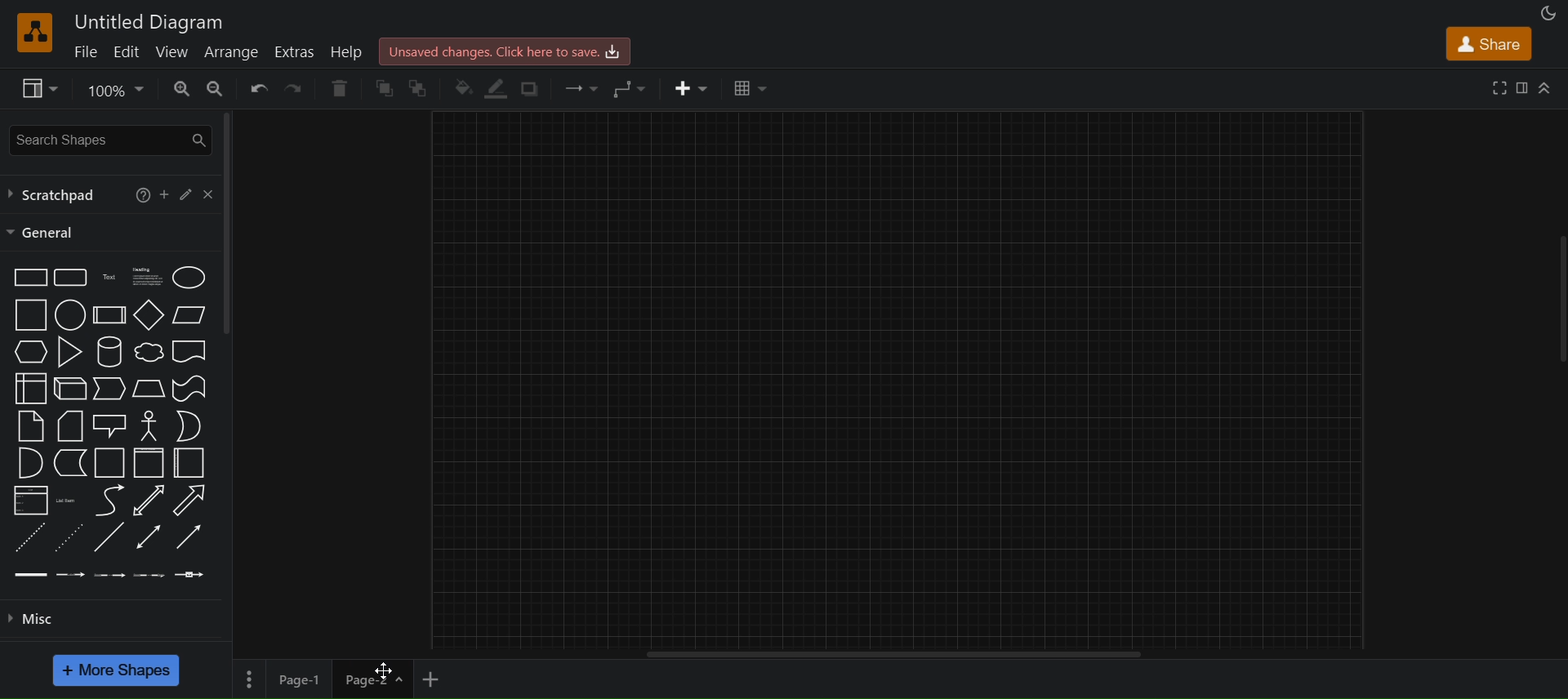 This screenshot has height=699, width=1568. I want to click on tape, so click(189, 388).